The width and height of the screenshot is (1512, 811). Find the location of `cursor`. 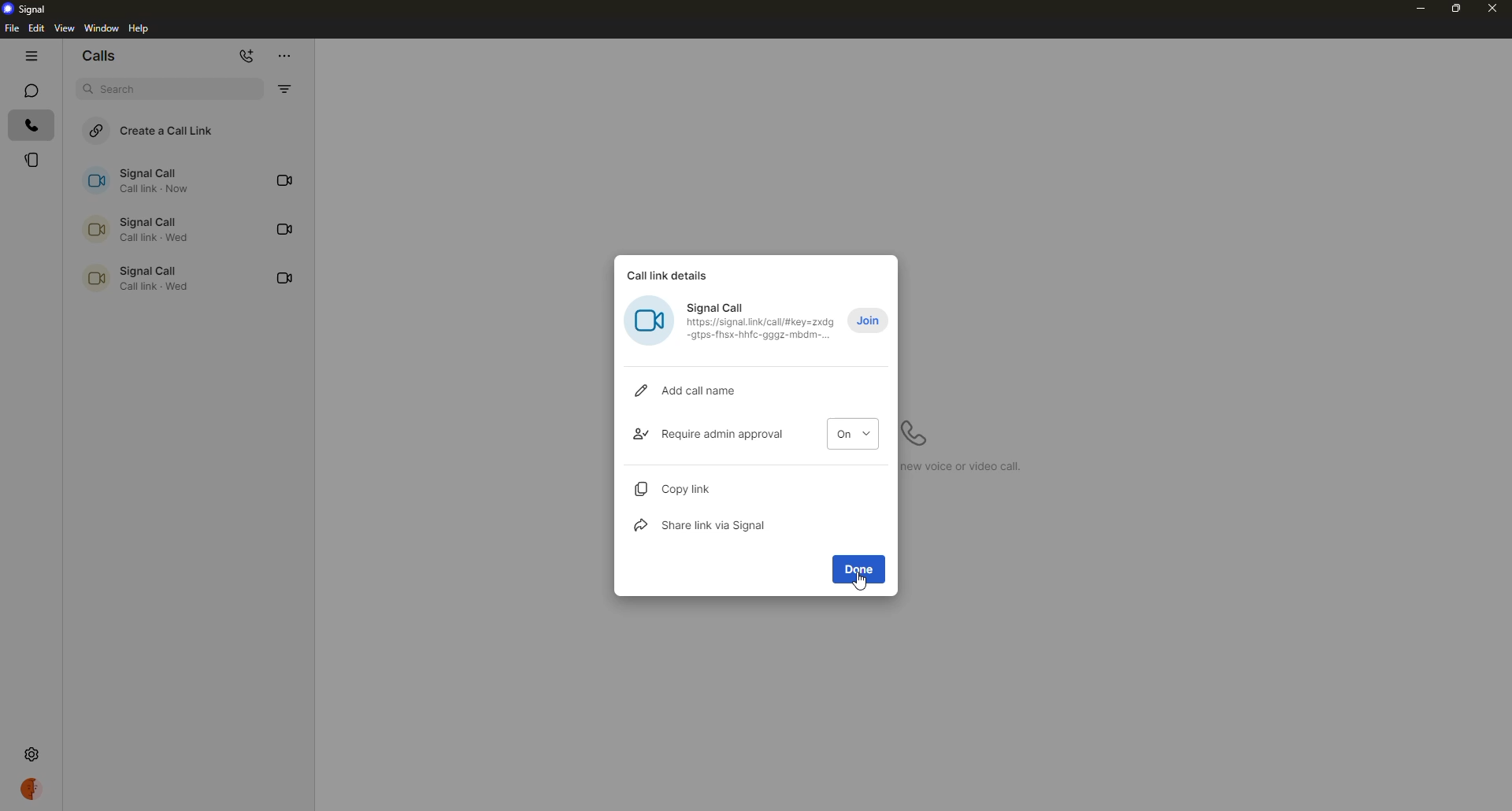

cursor is located at coordinates (861, 580).